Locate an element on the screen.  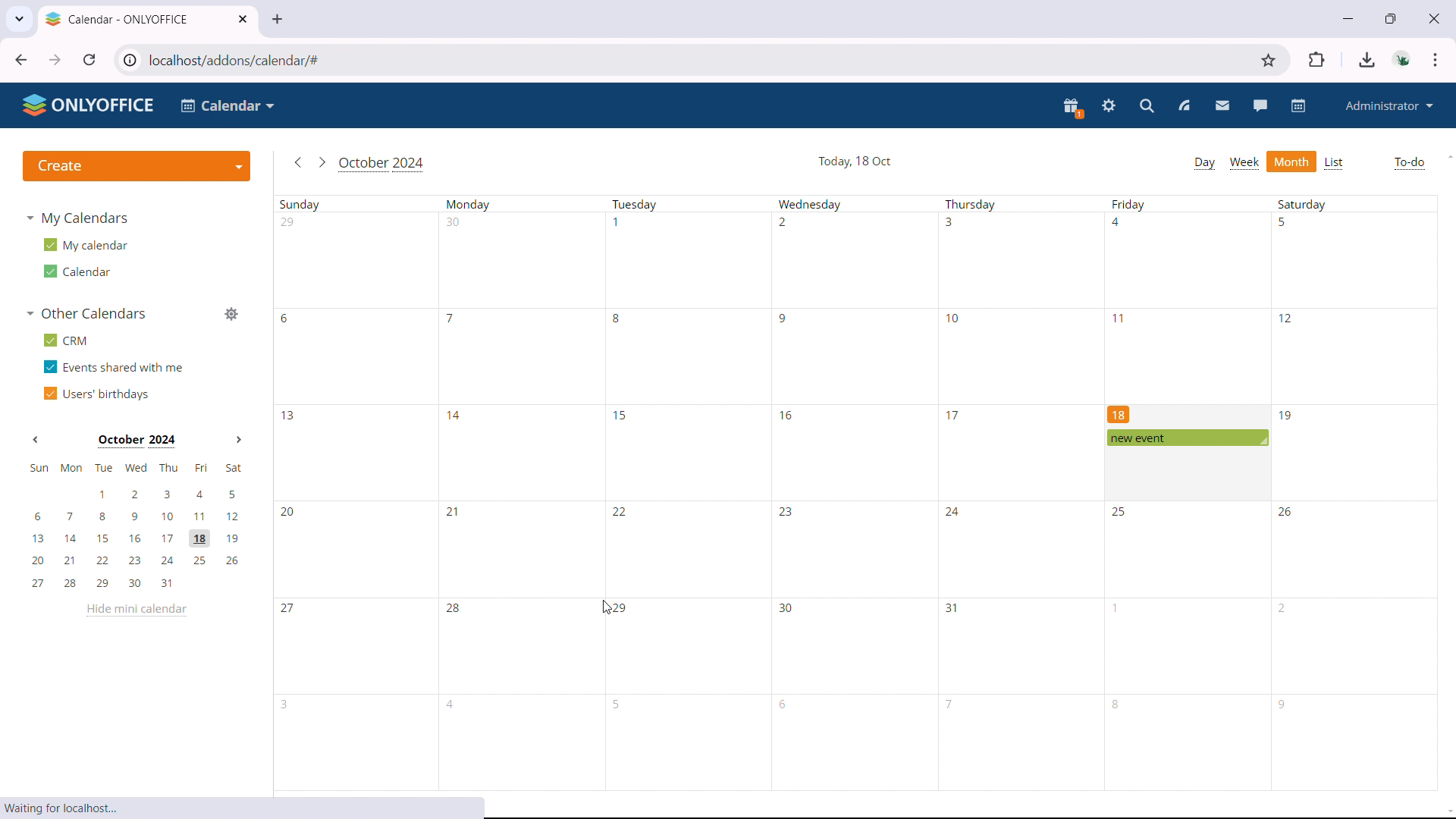
minimize is located at coordinates (1346, 17).